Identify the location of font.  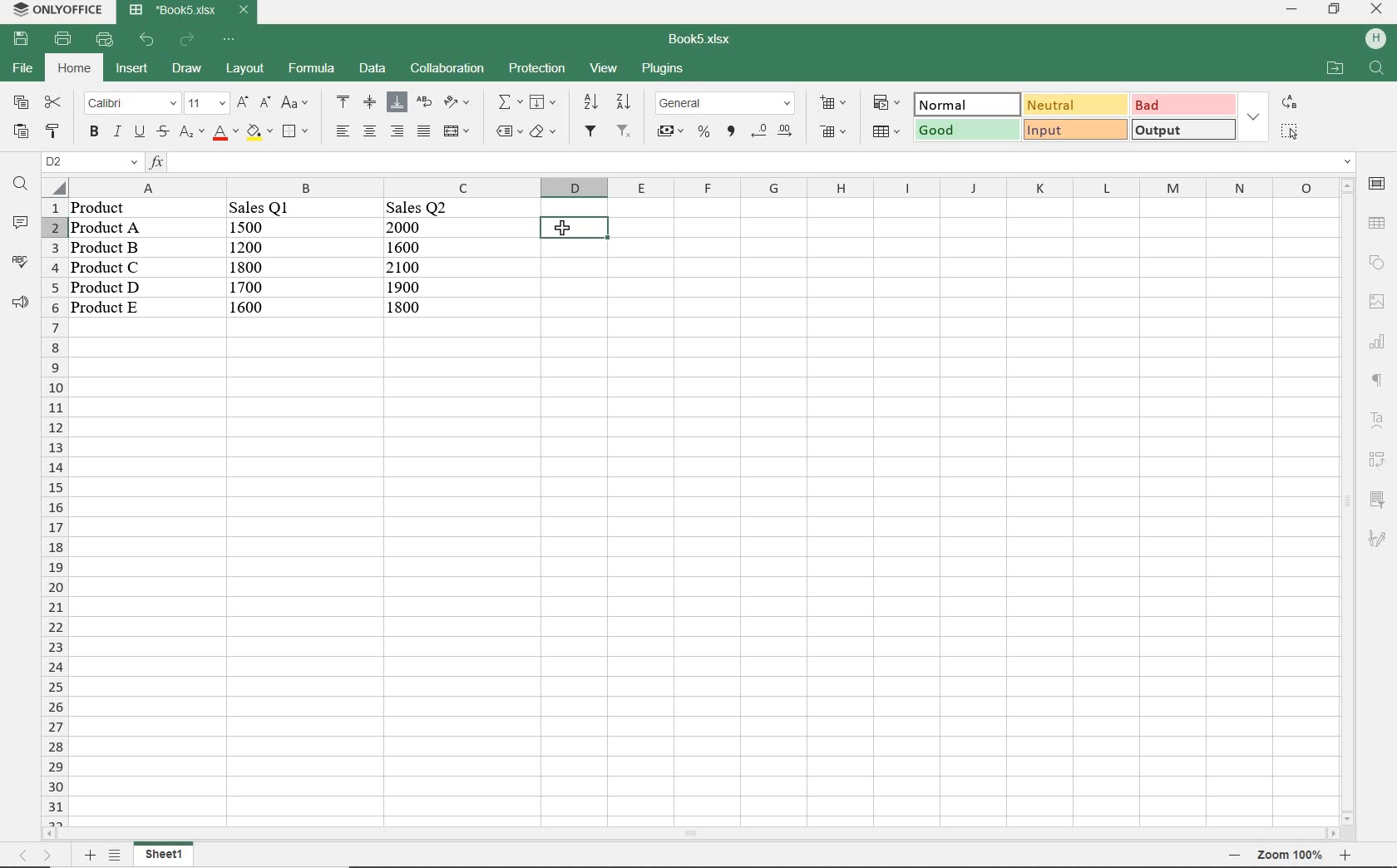
(129, 104).